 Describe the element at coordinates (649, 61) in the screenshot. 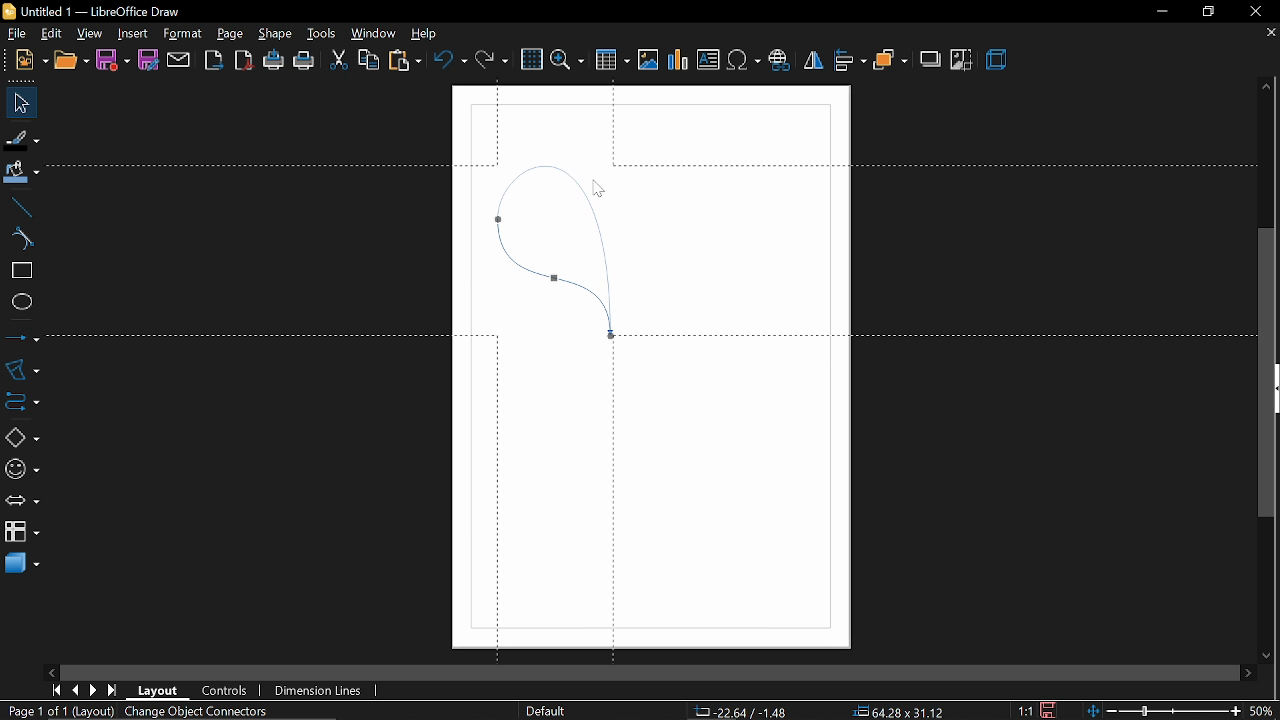

I see `Insert image` at that location.